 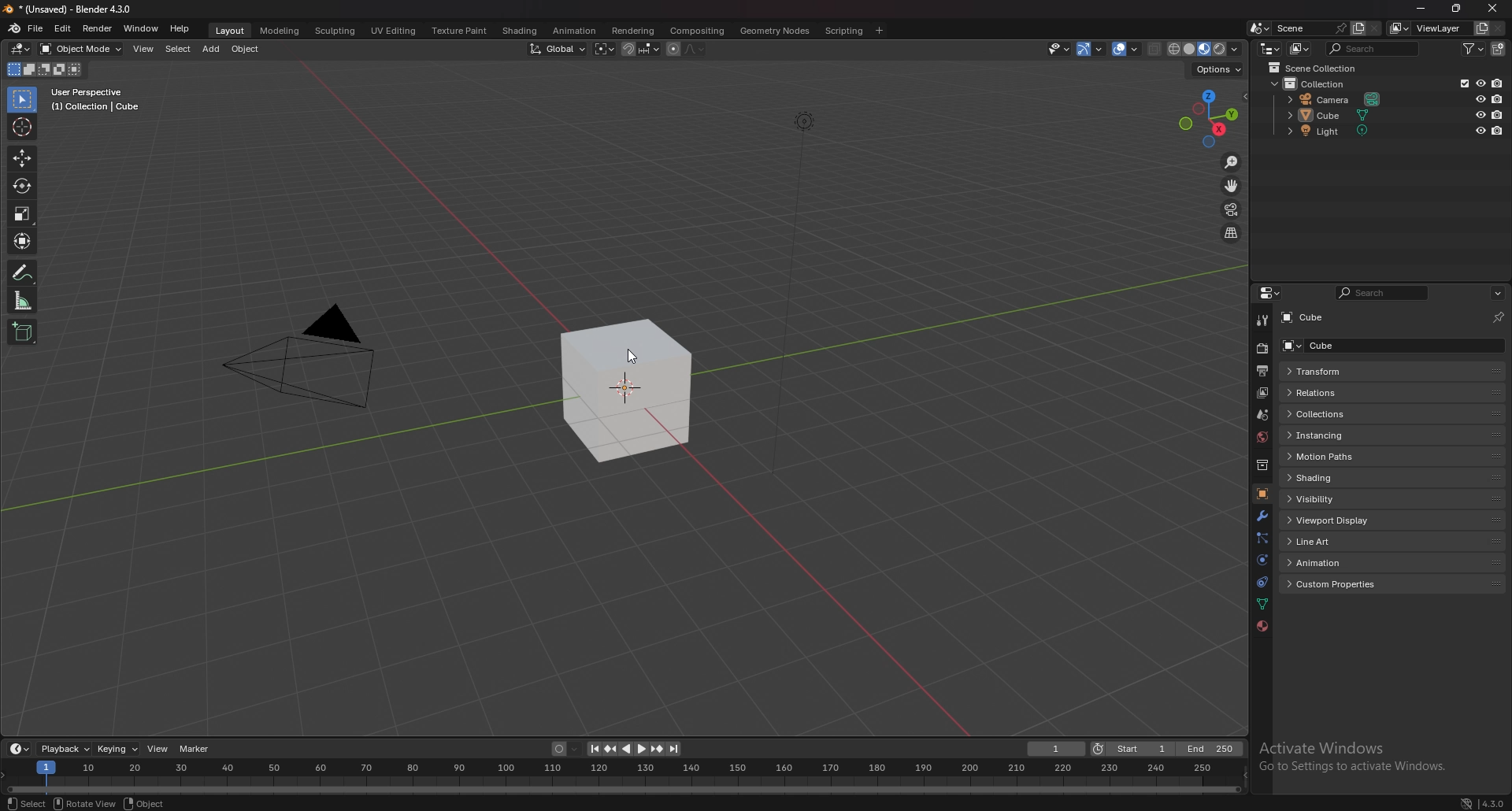 What do you see at coordinates (1320, 68) in the screenshot?
I see `scene collection` at bounding box center [1320, 68].